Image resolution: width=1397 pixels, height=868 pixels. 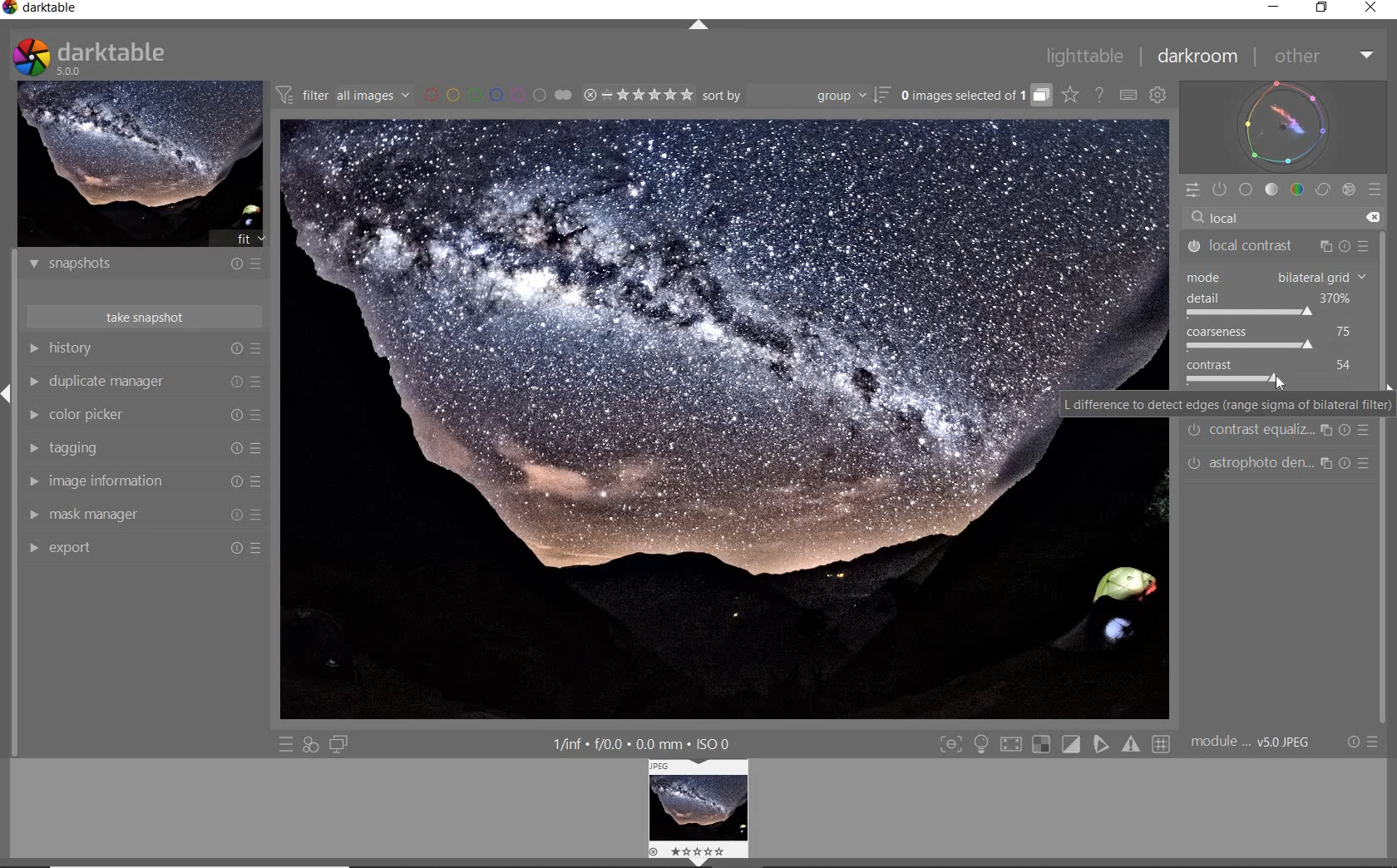 I want to click on Astrophoto denoise, so click(x=1260, y=463).